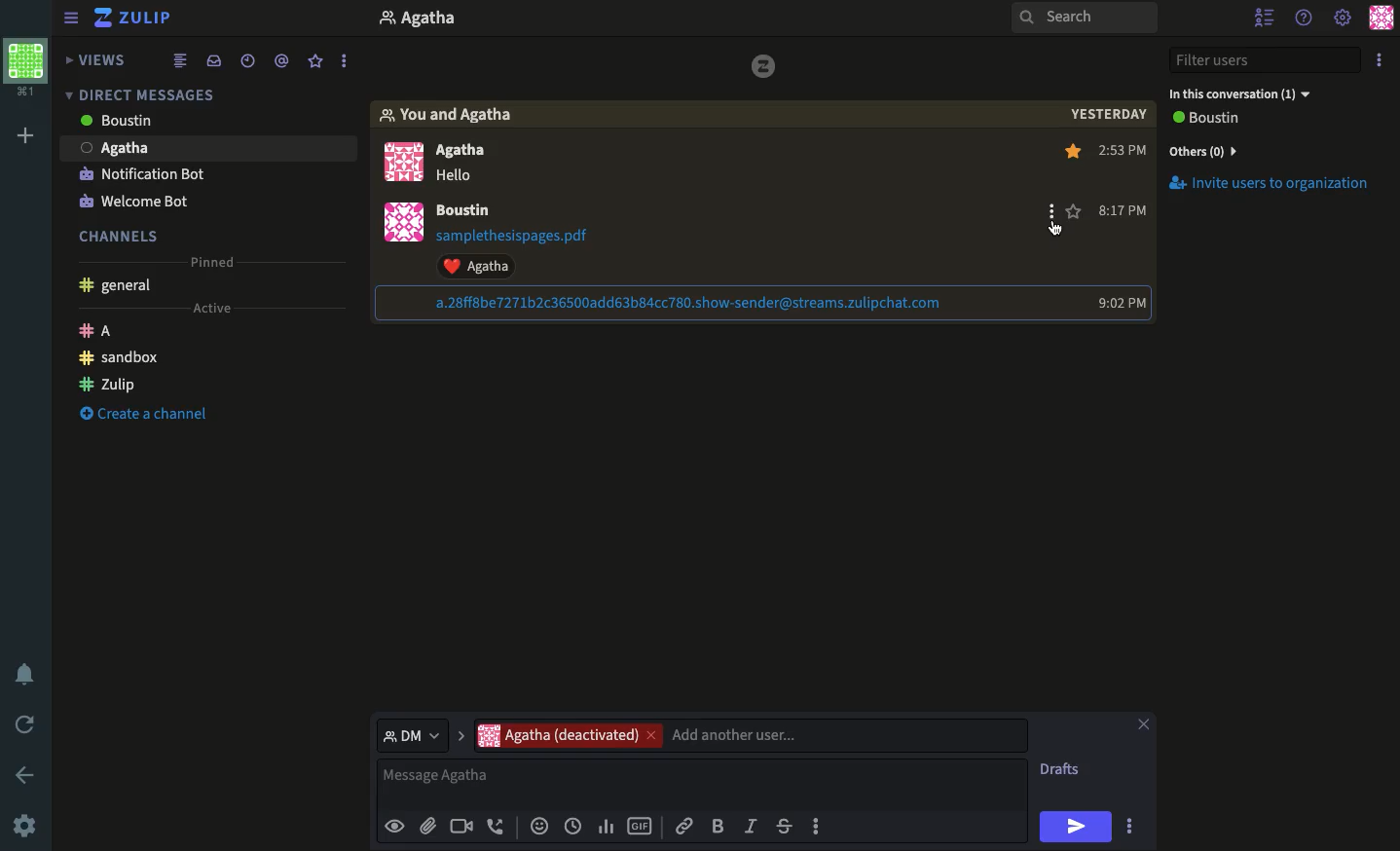  I want to click on User, so click(439, 20).